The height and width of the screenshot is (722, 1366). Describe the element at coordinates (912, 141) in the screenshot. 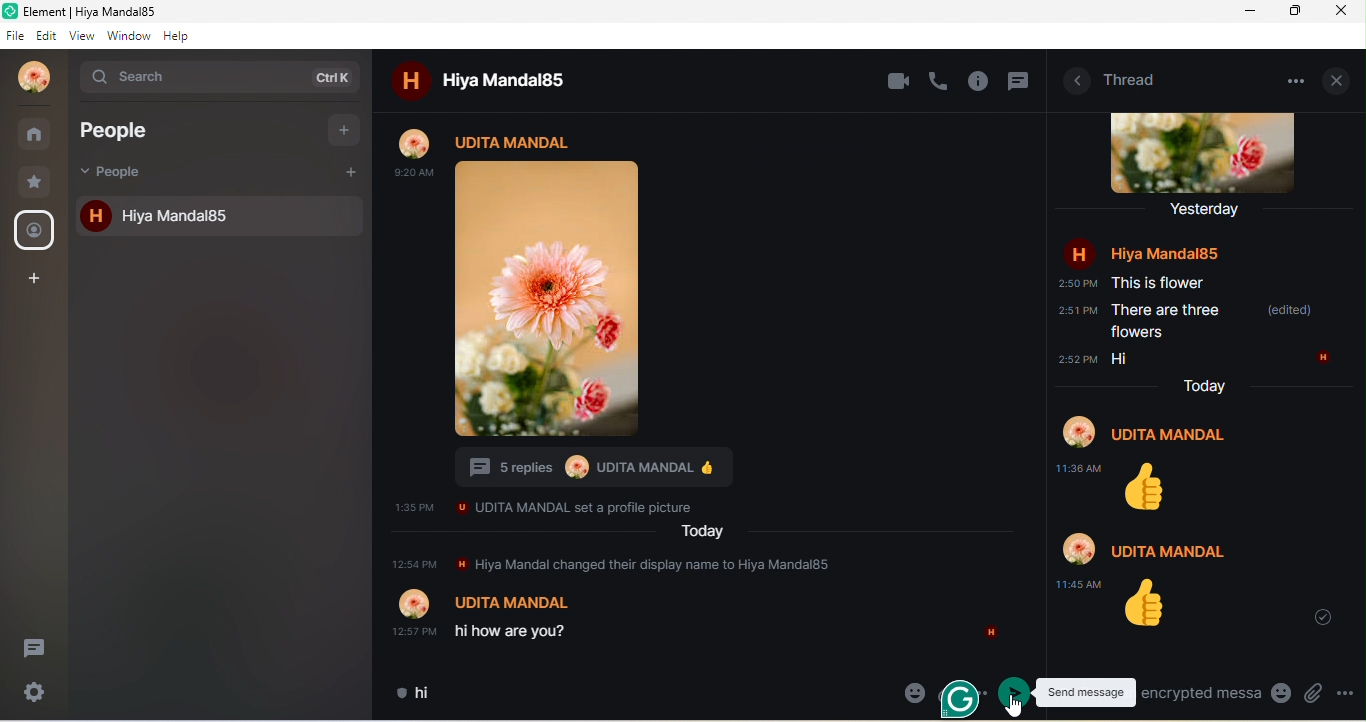

I see `option` at that location.